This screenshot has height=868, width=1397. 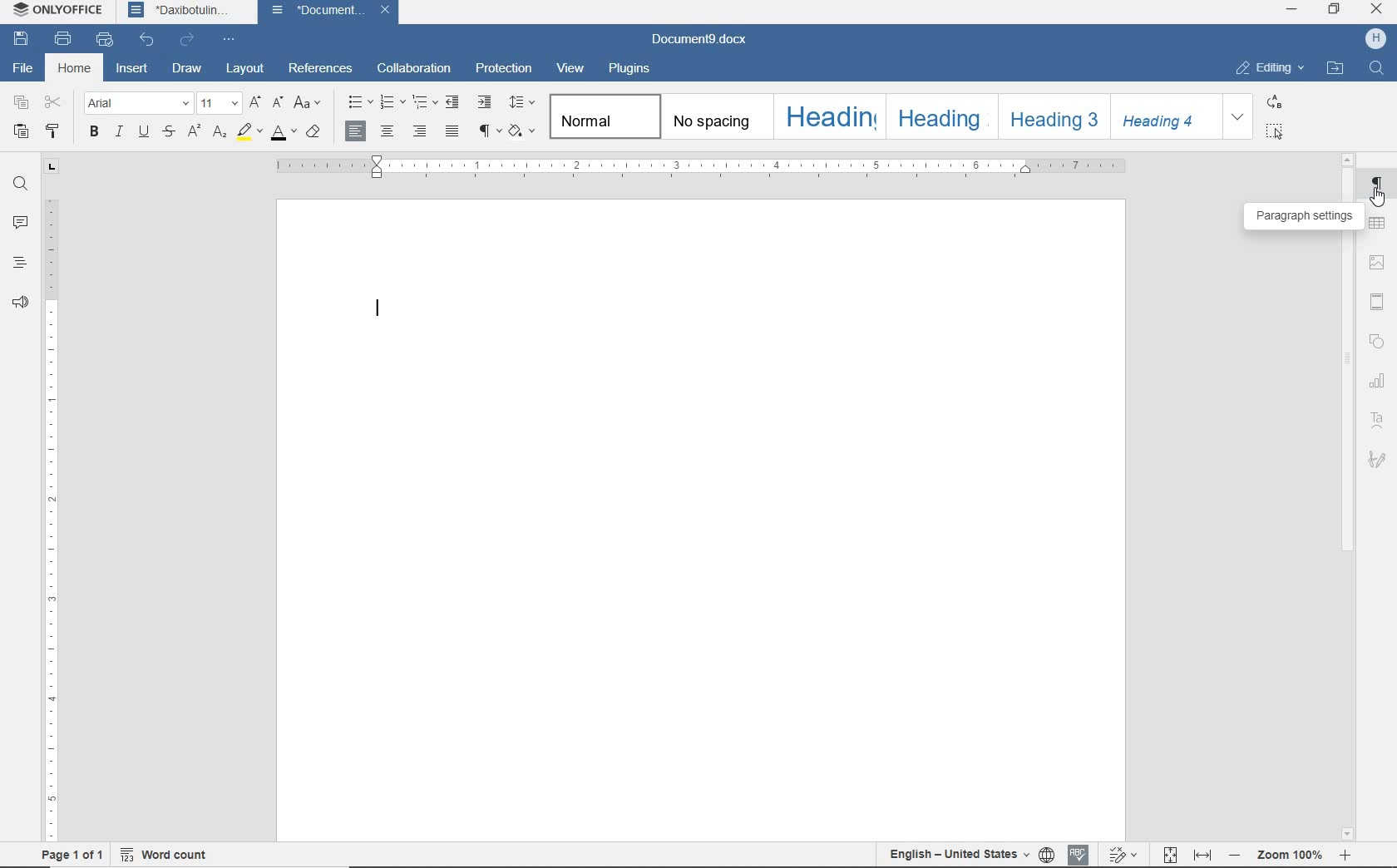 What do you see at coordinates (1269, 67) in the screenshot?
I see `EDITING` at bounding box center [1269, 67].